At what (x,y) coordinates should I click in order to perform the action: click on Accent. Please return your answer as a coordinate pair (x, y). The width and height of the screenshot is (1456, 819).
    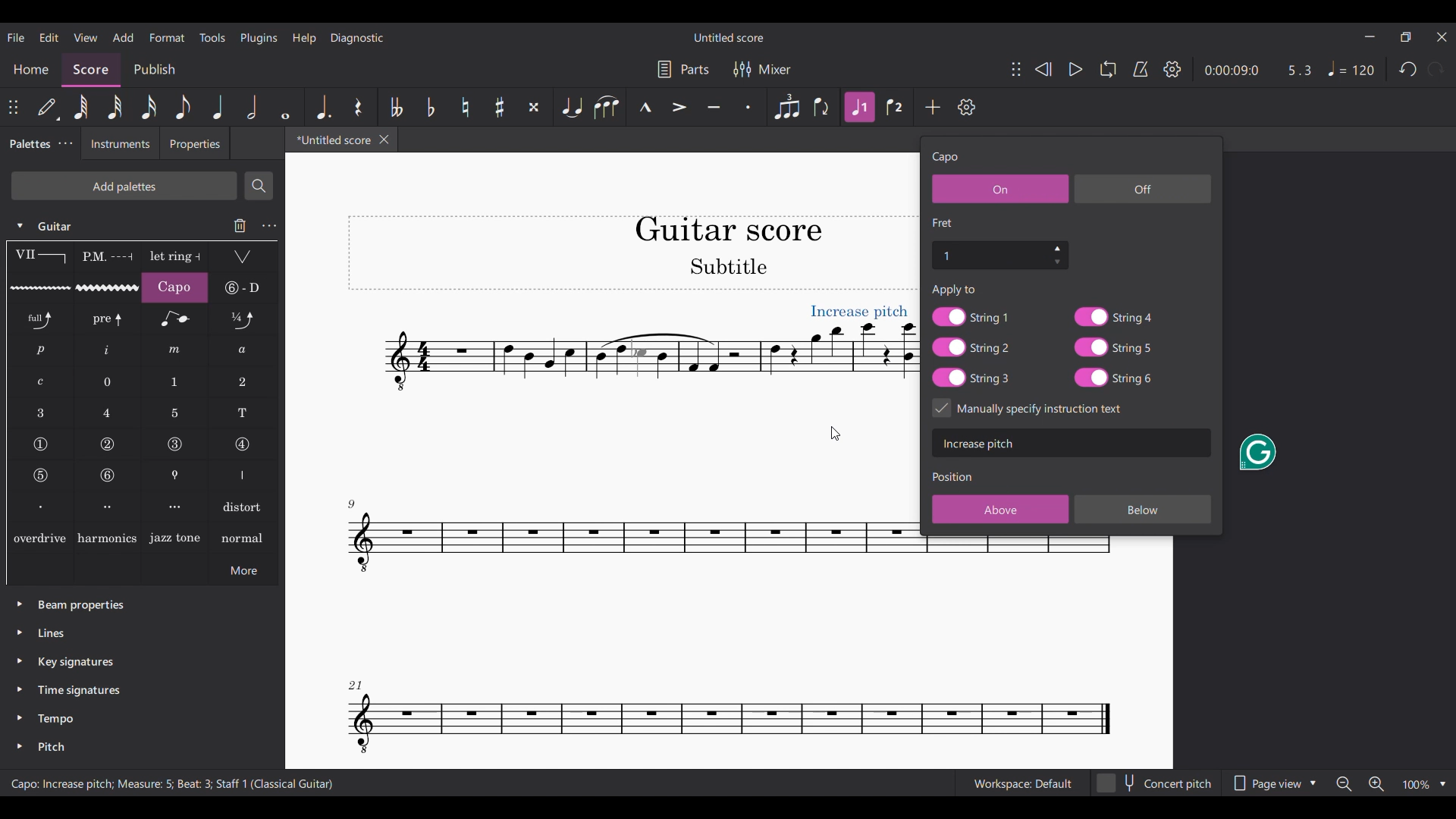
    Looking at the image, I should click on (679, 107).